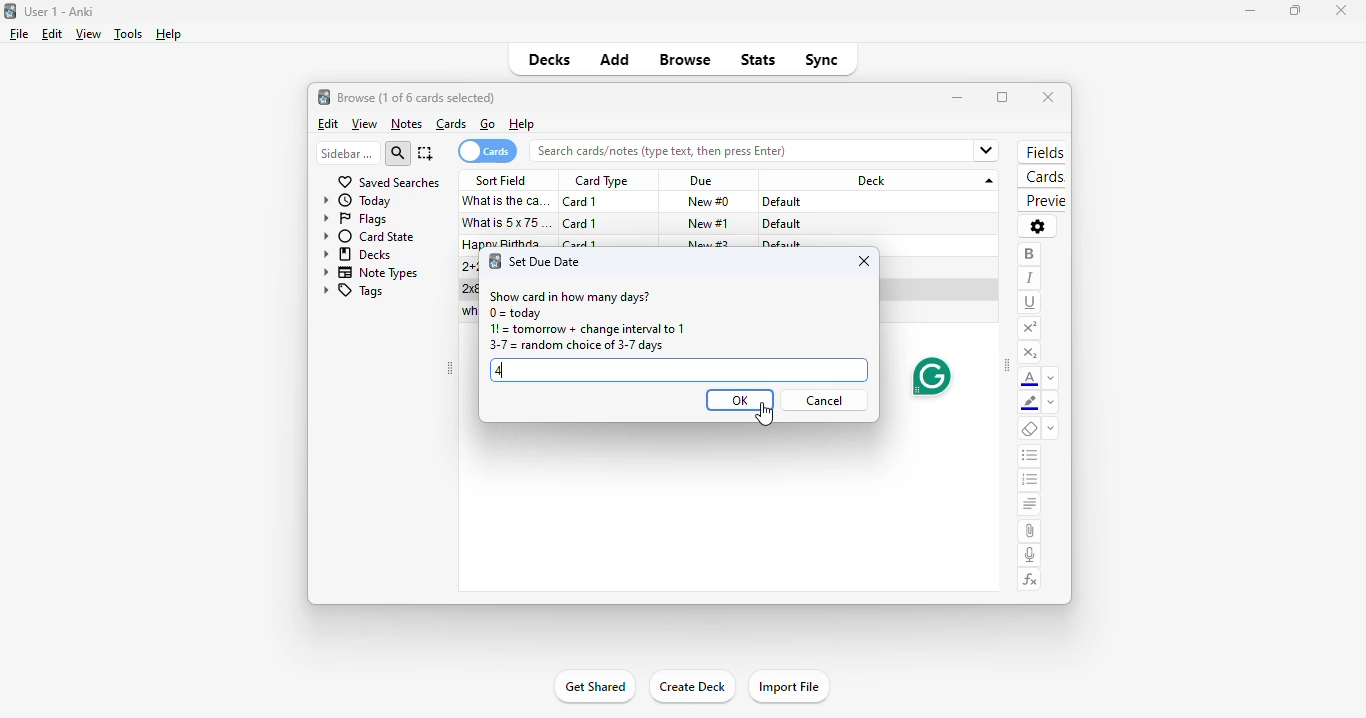  I want to click on record audio, so click(1030, 555).